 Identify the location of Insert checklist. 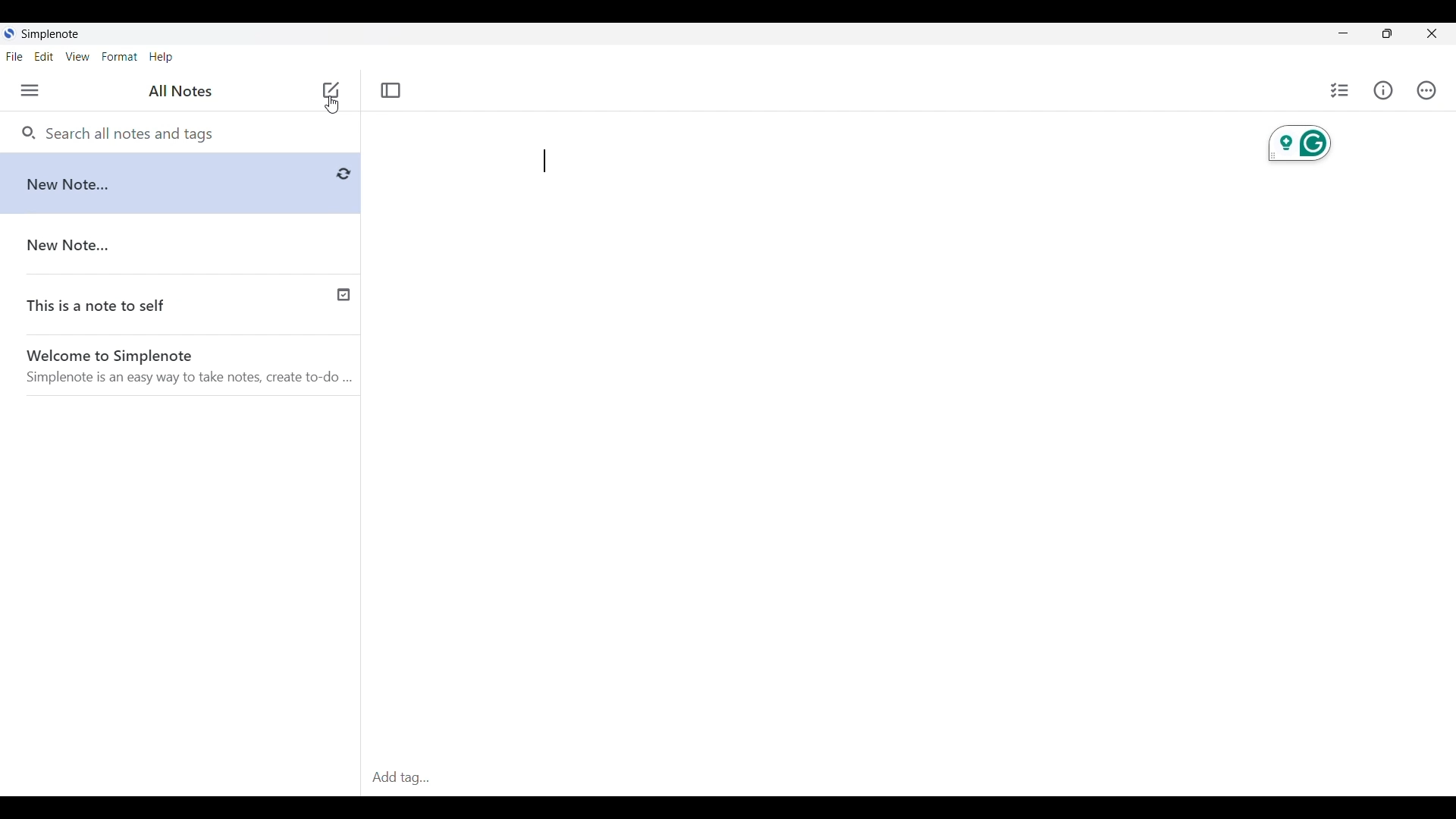
(1341, 90).